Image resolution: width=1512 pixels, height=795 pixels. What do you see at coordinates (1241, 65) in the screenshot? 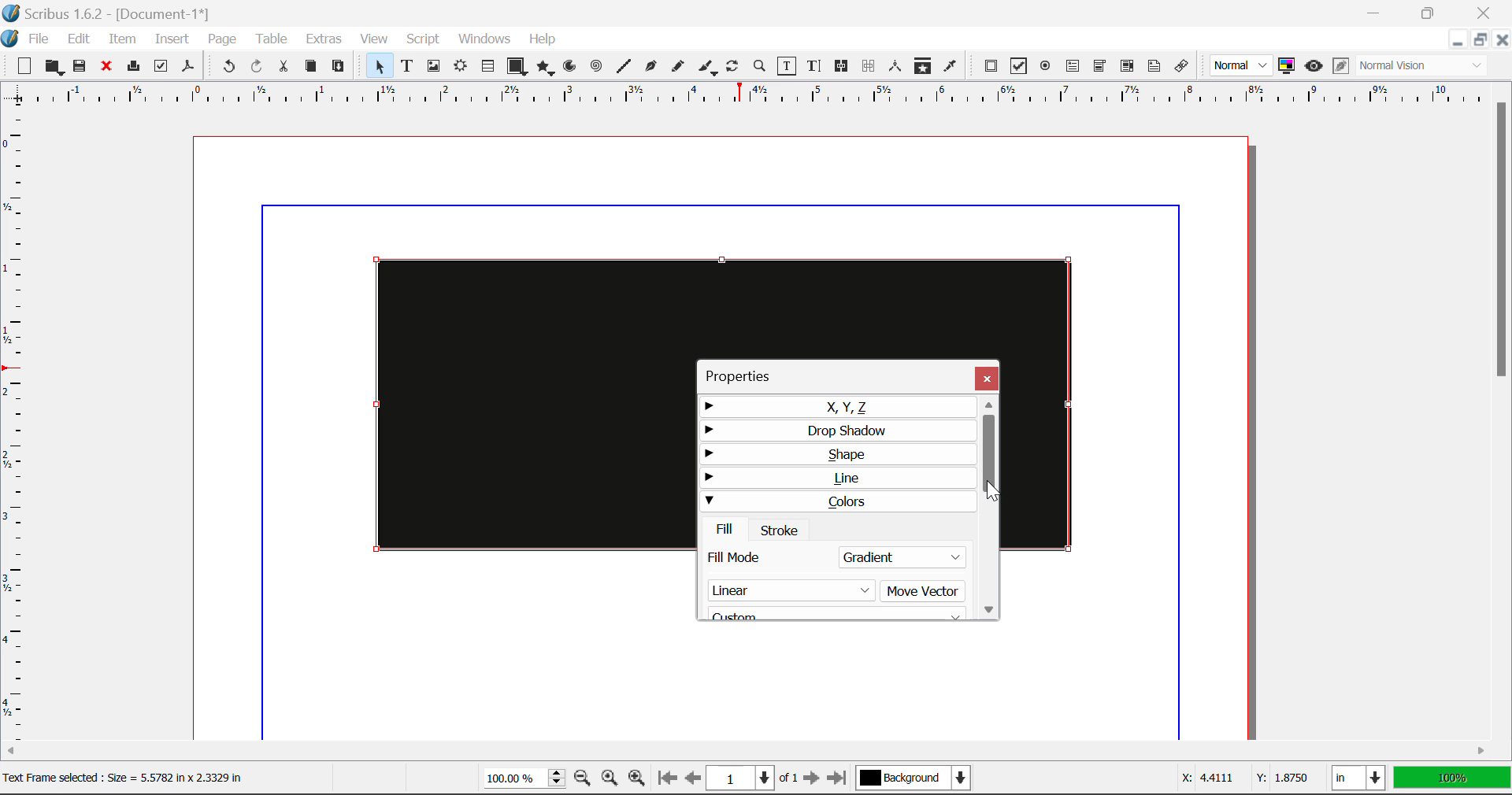
I see `Preview Mode` at bounding box center [1241, 65].